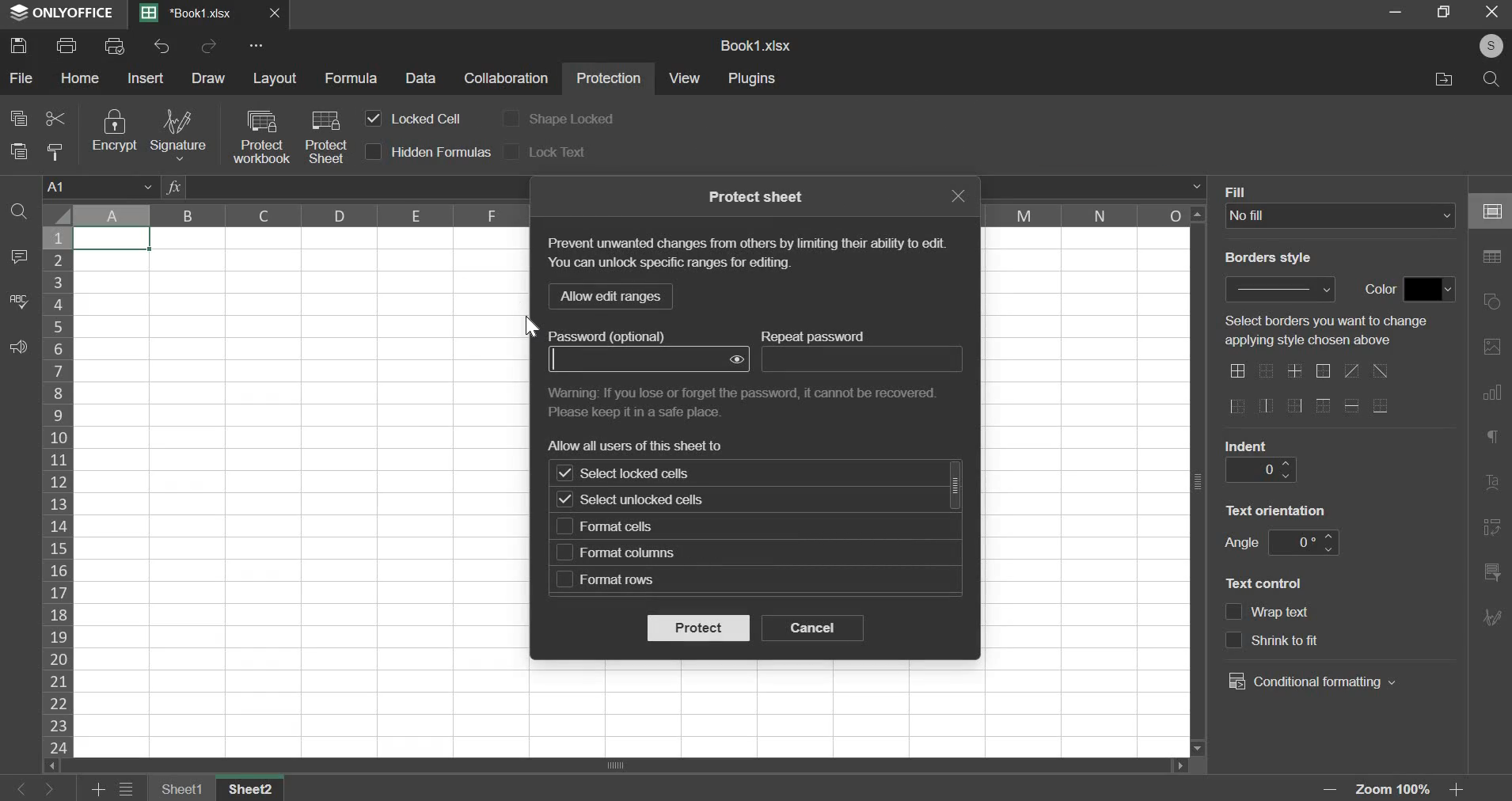 The width and height of the screenshot is (1512, 801). Describe the element at coordinates (1492, 615) in the screenshot. I see `right side bar` at that location.